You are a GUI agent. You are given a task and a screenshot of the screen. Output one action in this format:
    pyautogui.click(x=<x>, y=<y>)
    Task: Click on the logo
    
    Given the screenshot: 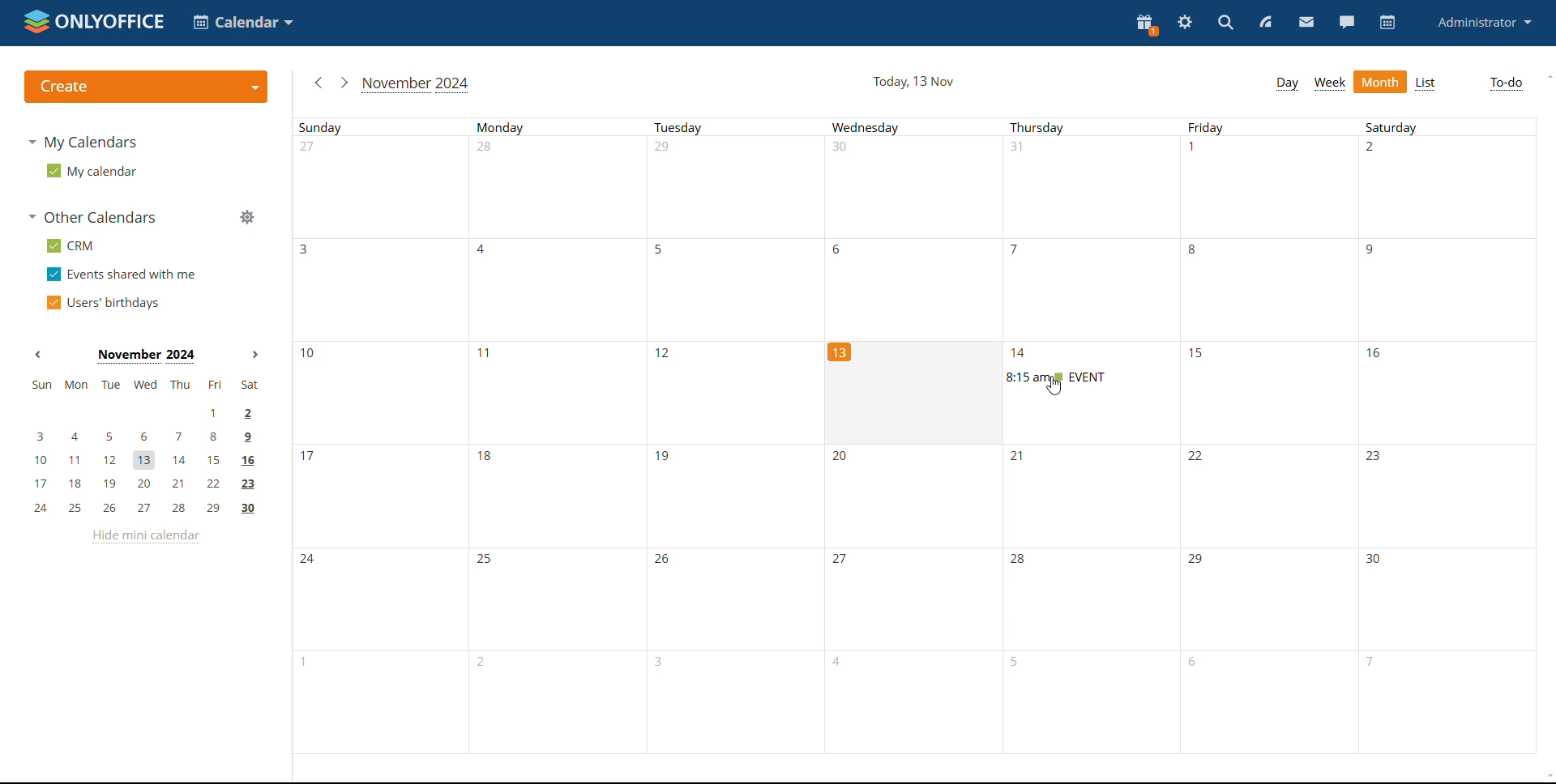 What is the action you would take?
    pyautogui.click(x=94, y=23)
    